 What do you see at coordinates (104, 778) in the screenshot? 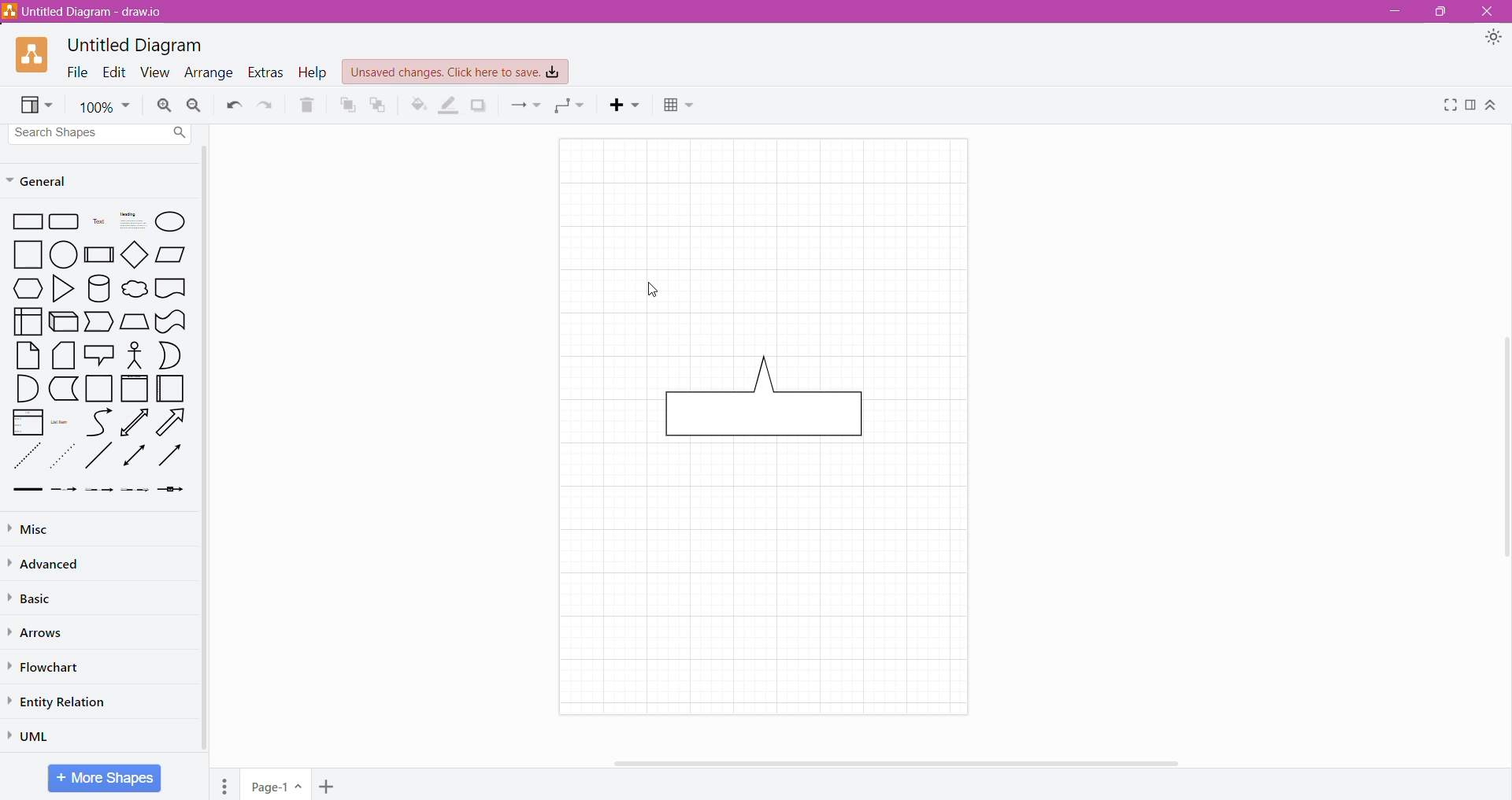
I see `More Shapes` at bounding box center [104, 778].